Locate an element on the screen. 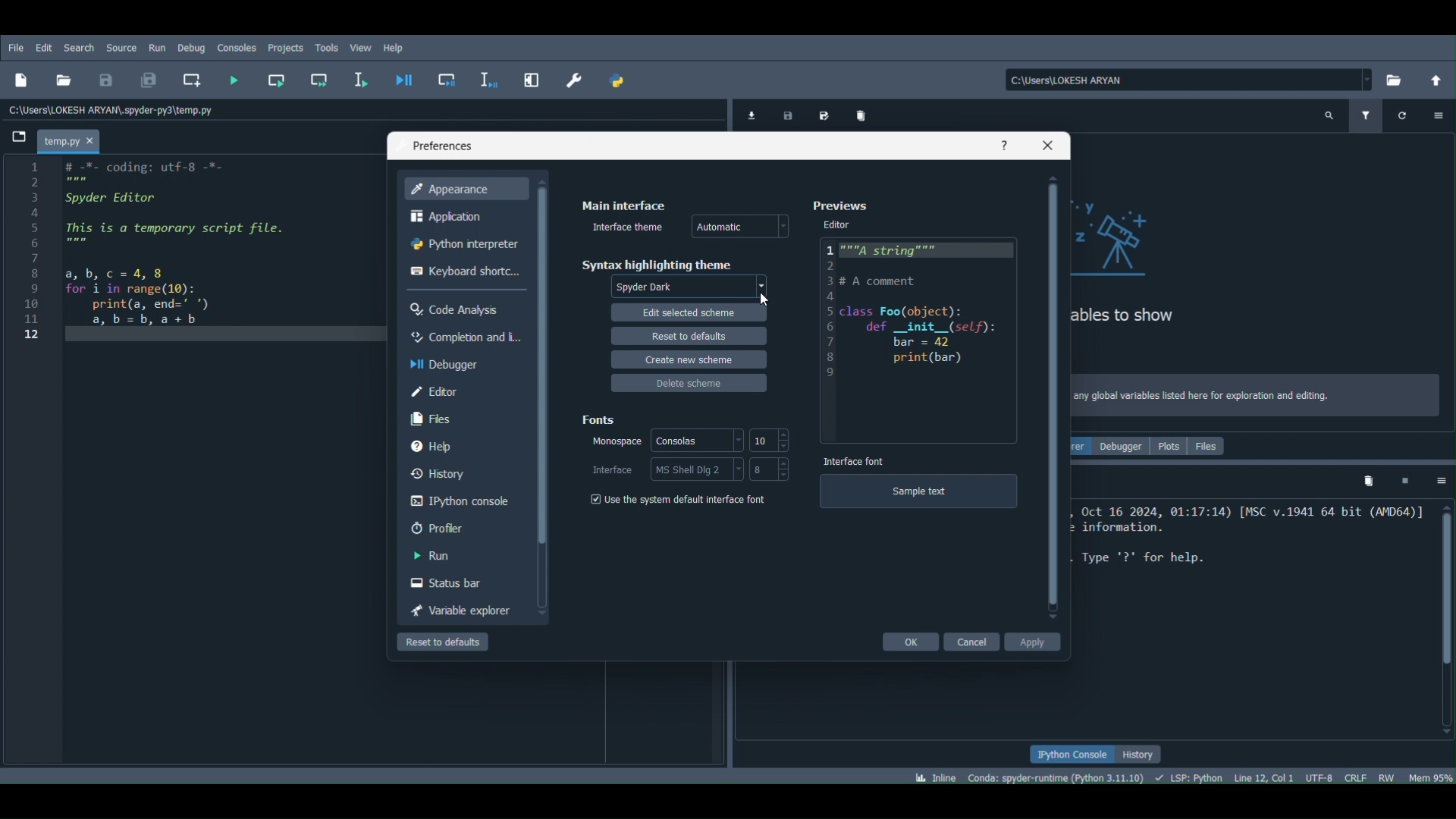  Version is located at coordinates (1059, 779).